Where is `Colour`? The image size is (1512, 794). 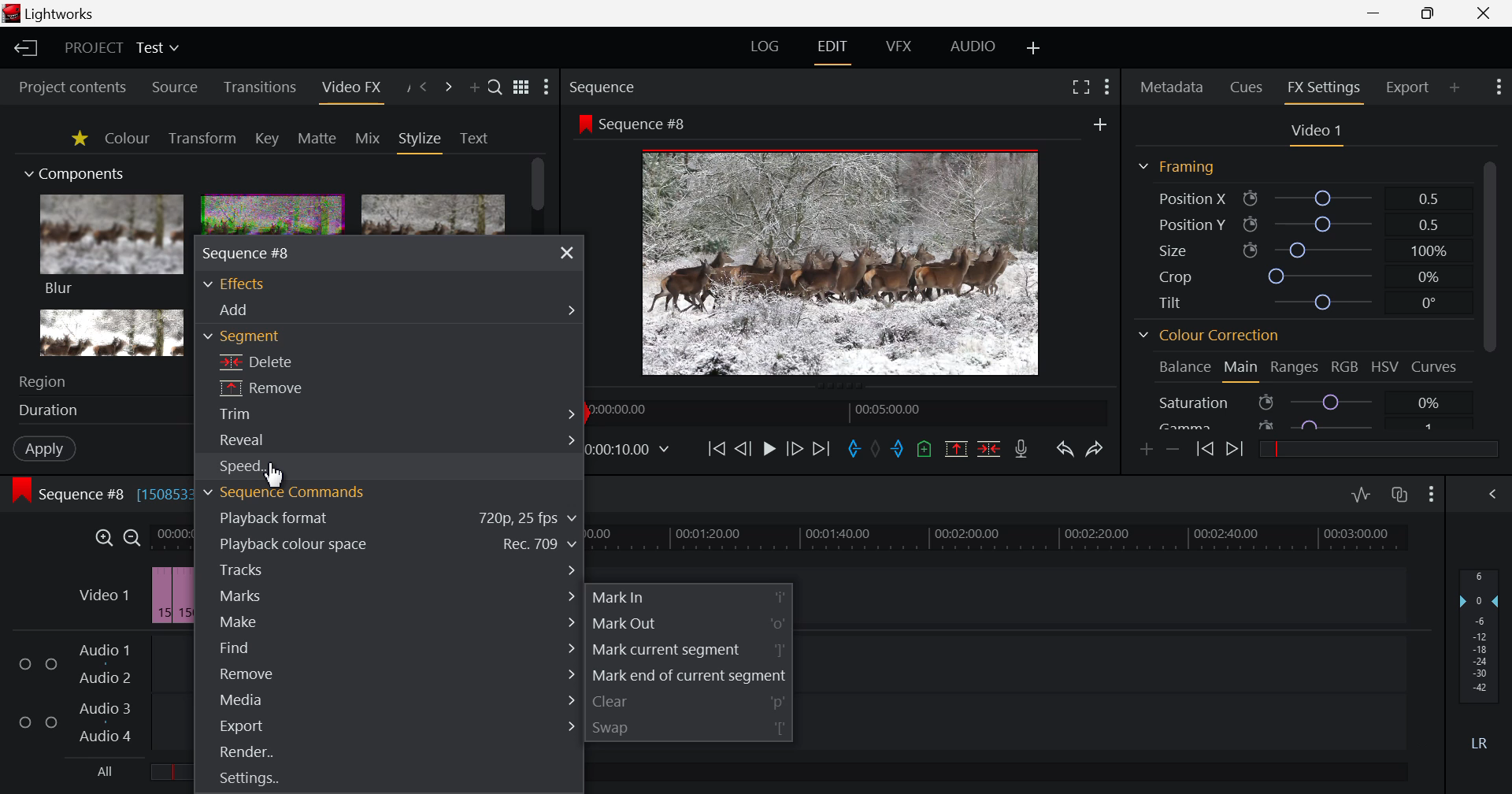 Colour is located at coordinates (128, 138).